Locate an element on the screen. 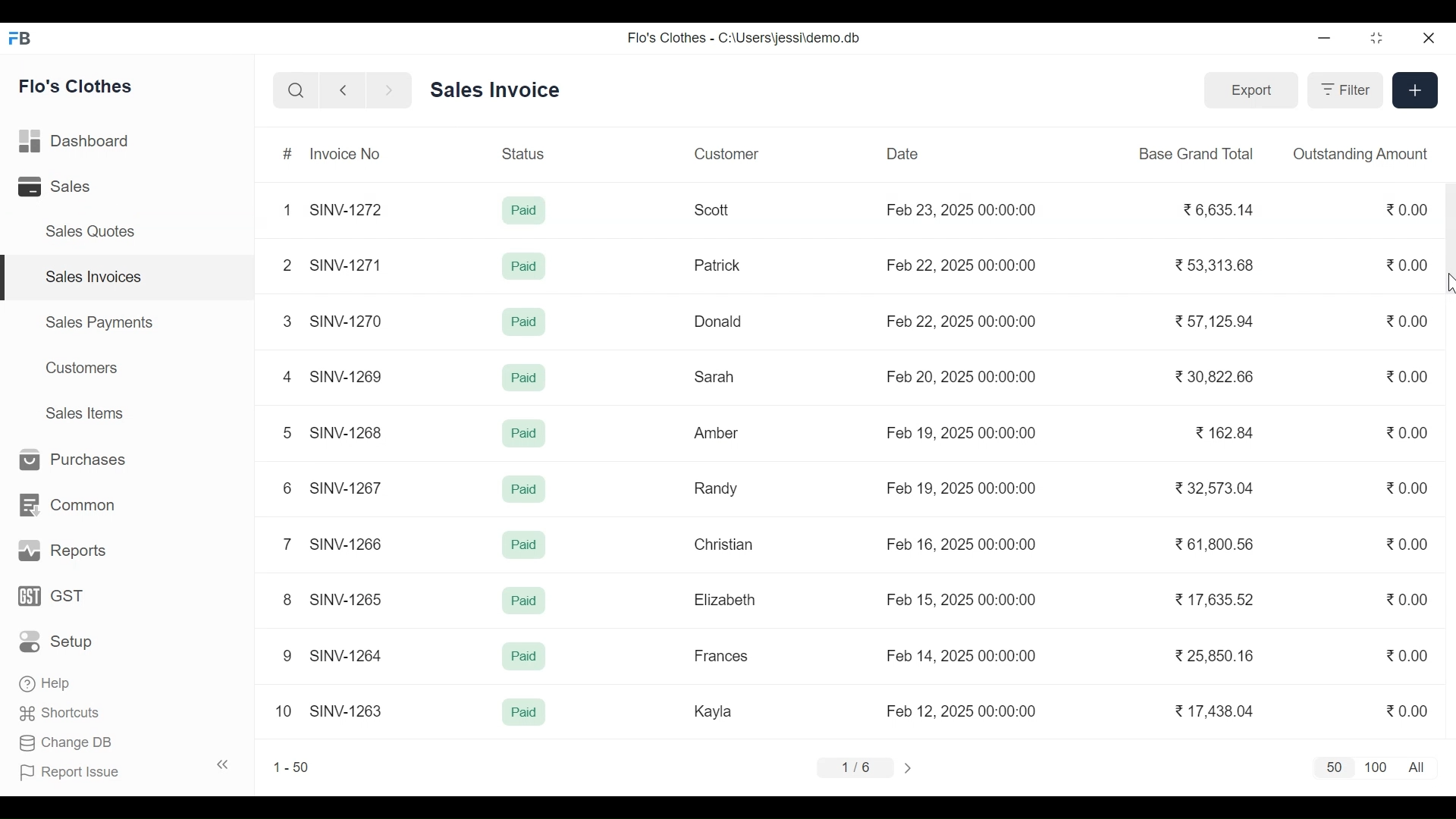  Purchases is located at coordinates (67, 460).